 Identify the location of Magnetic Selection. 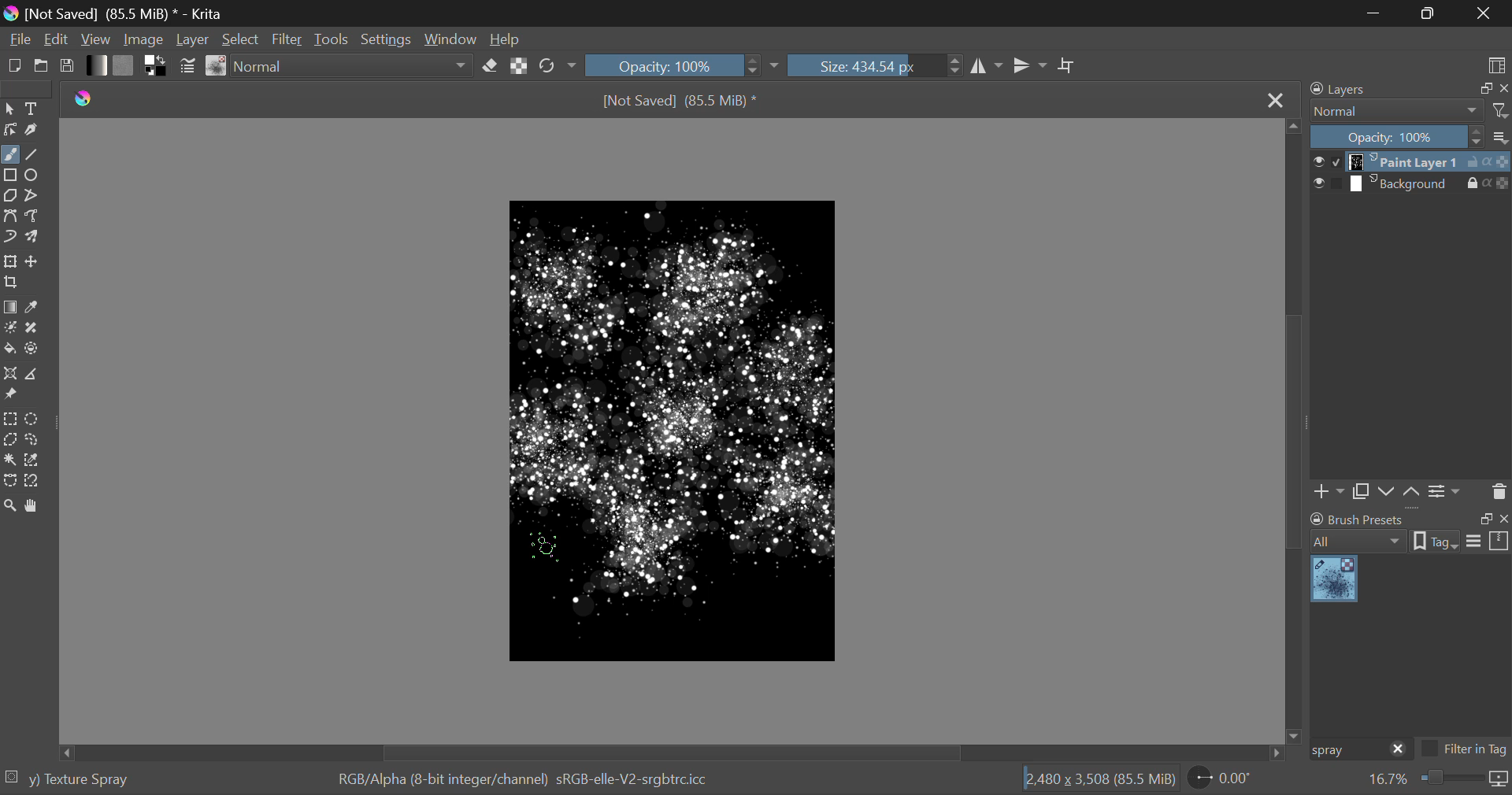
(37, 482).